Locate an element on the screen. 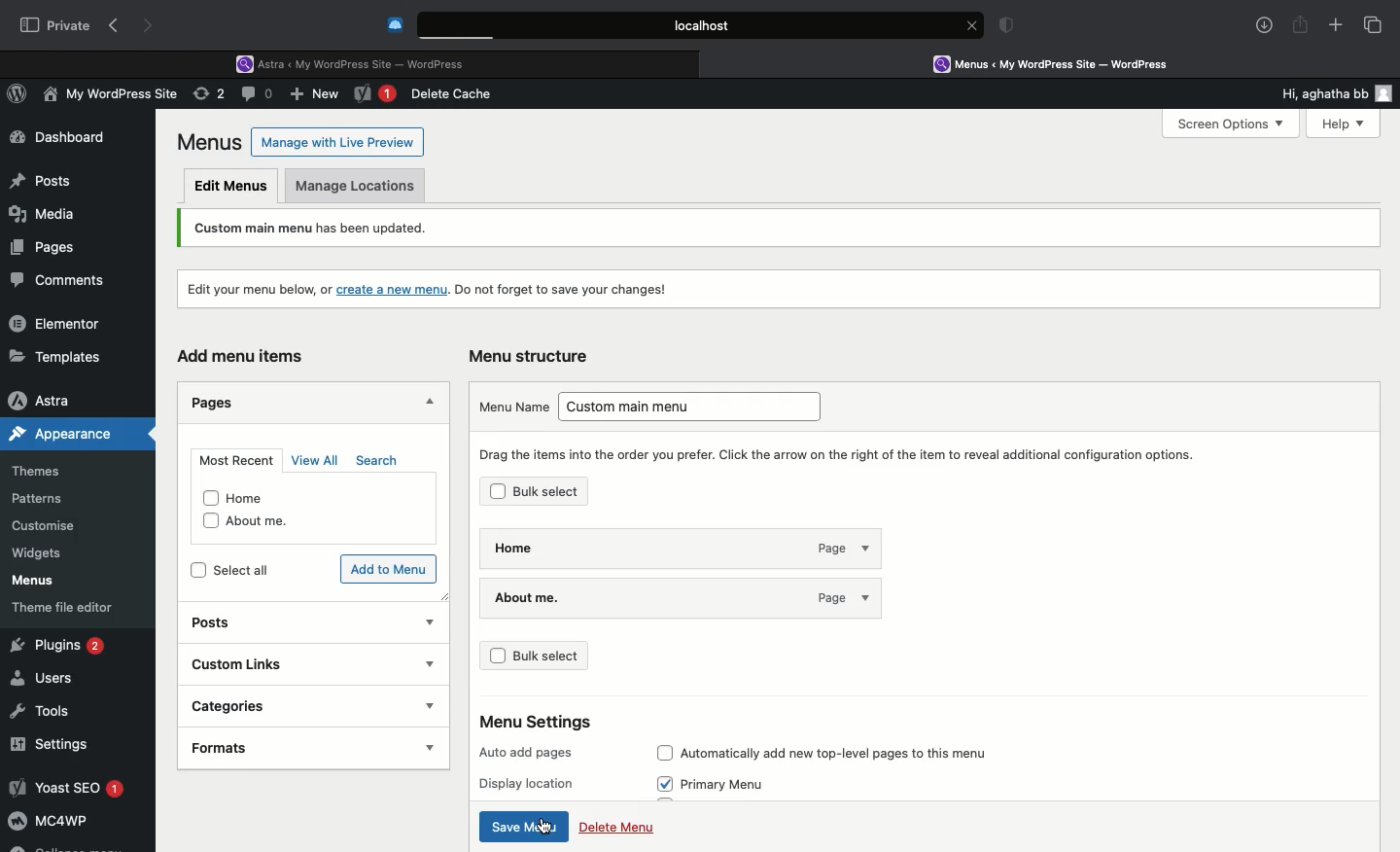  About me. - page is located at coordinates (631, 595).